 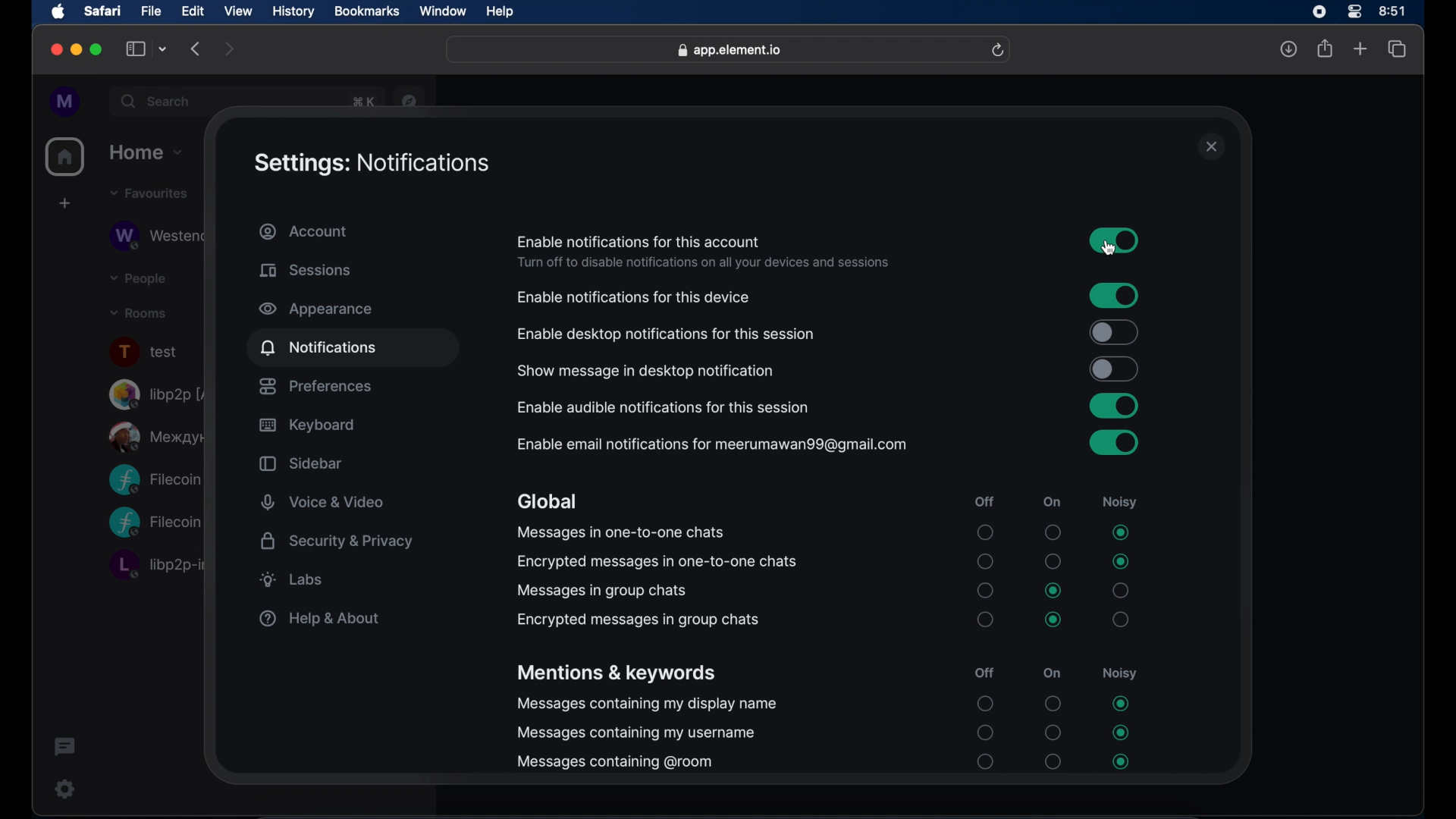 What do you see at coordinates (368, 12) in the screenshot?
I see `bookmarks` at bounding box center [368, 12].